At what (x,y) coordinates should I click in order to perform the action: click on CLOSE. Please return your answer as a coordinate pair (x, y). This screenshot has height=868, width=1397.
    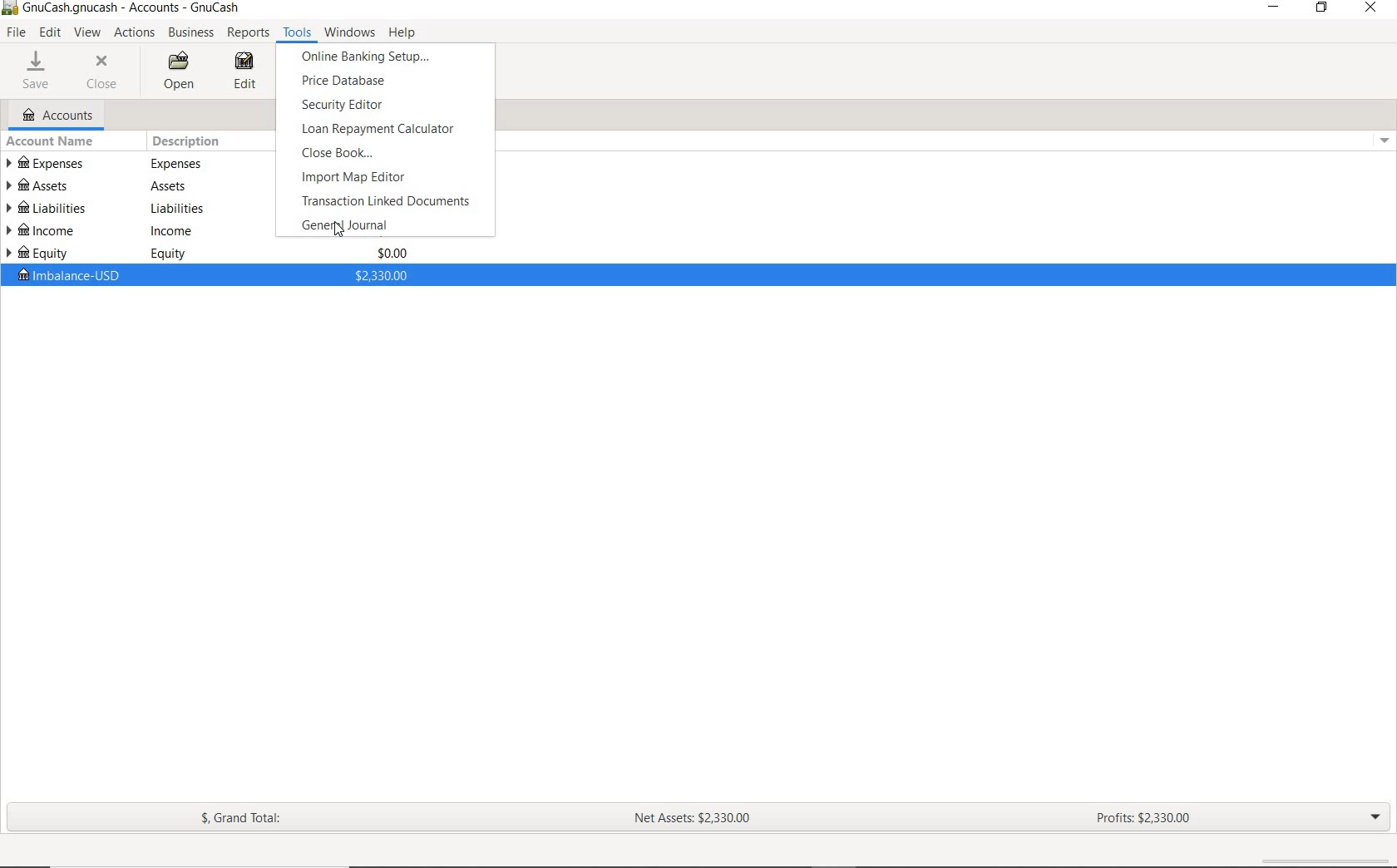
    Looking at the image, I should click on (1371, 7).